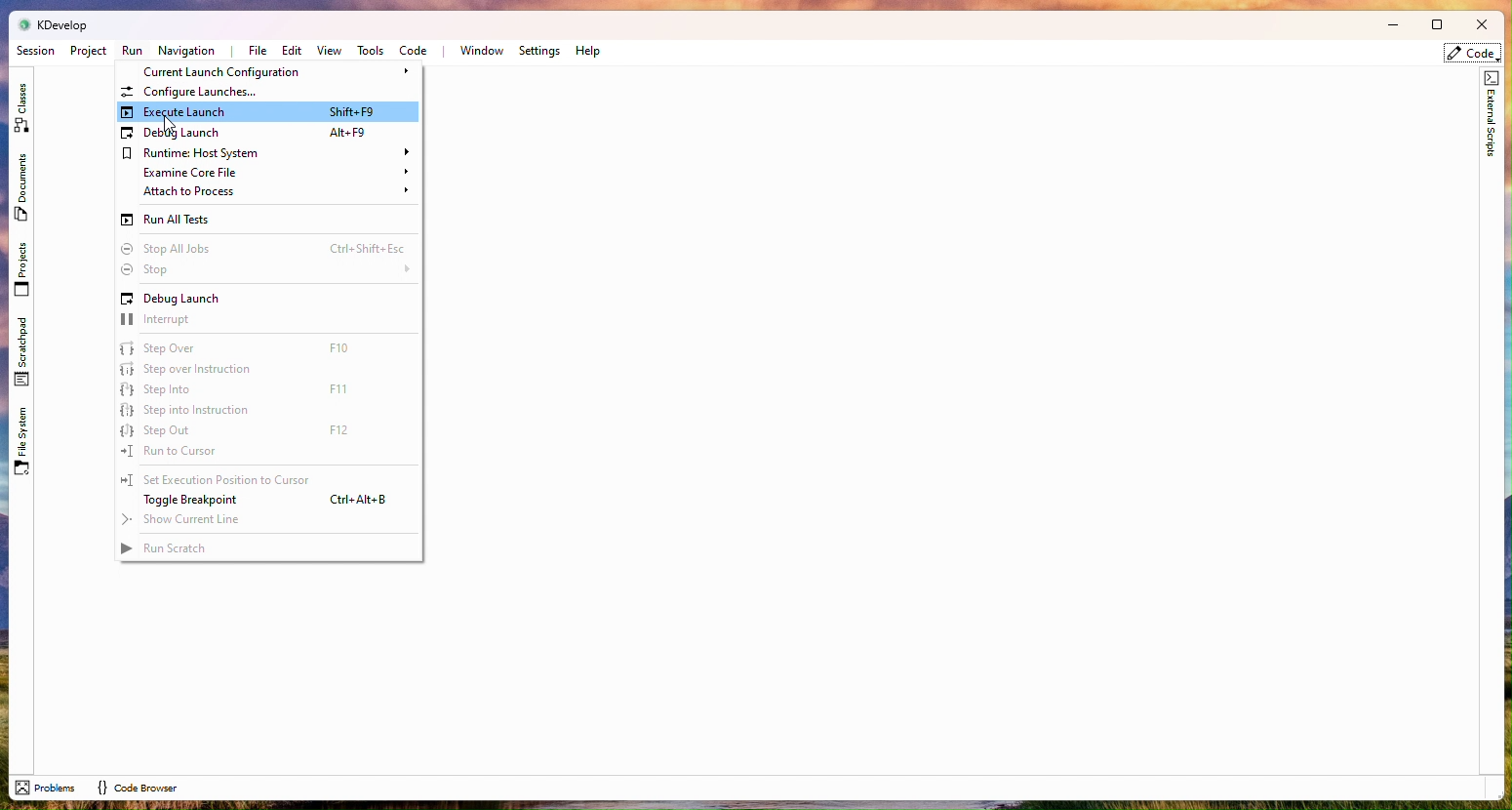 The width and height of the screenshot is (1512, 810). I want to click on Run to cursor, so click(196, 452).